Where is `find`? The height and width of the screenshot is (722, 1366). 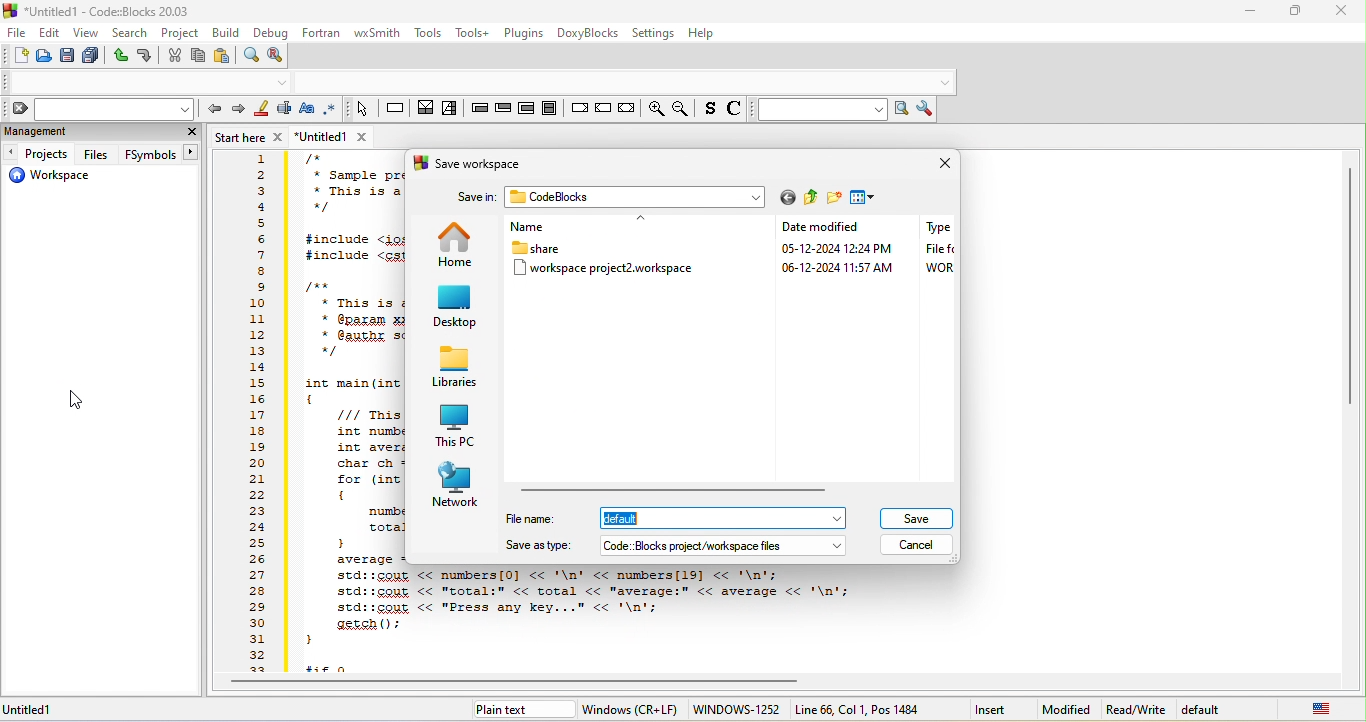 find is located at coordinates (250, 55).